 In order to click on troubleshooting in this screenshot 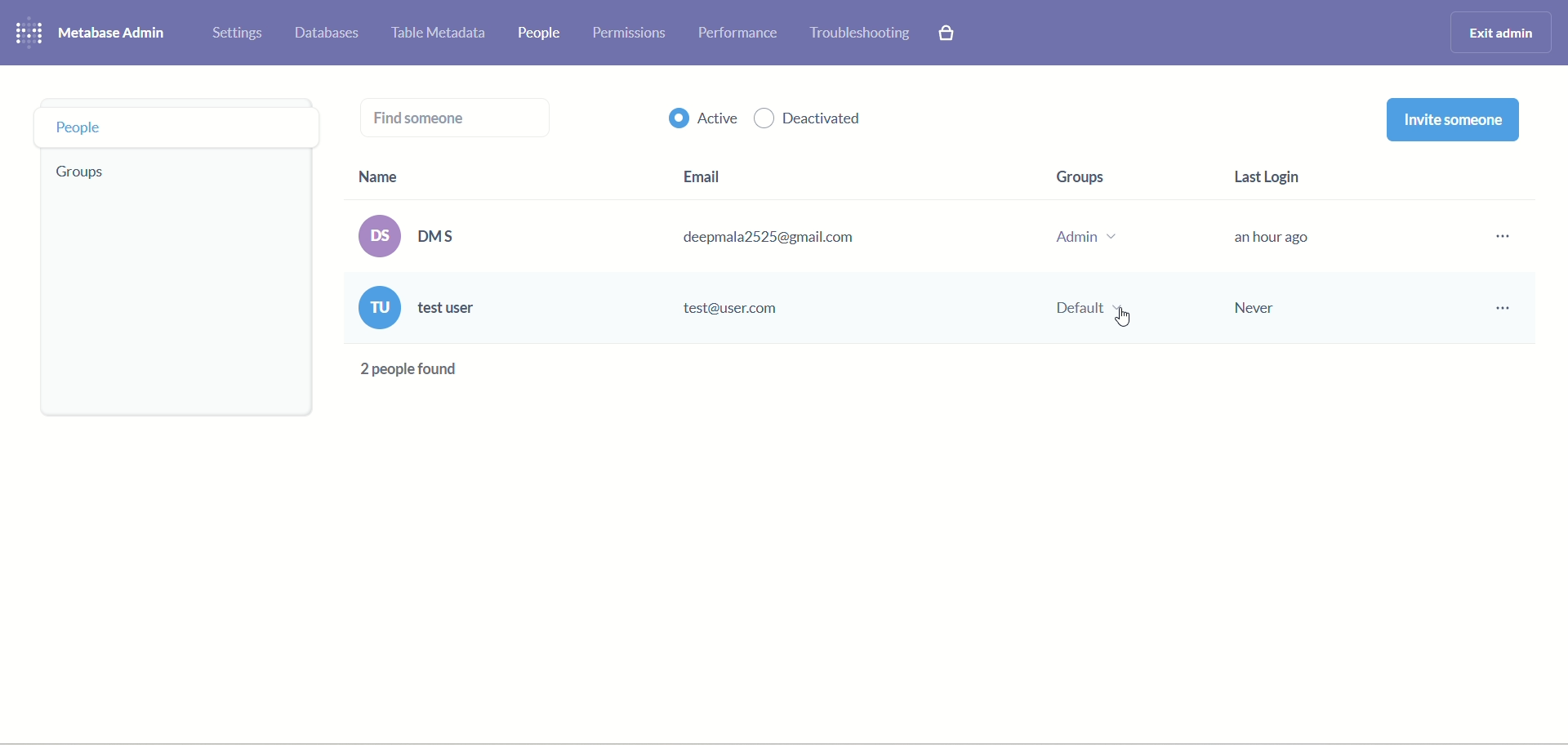, I will do `click(862, 32)`.